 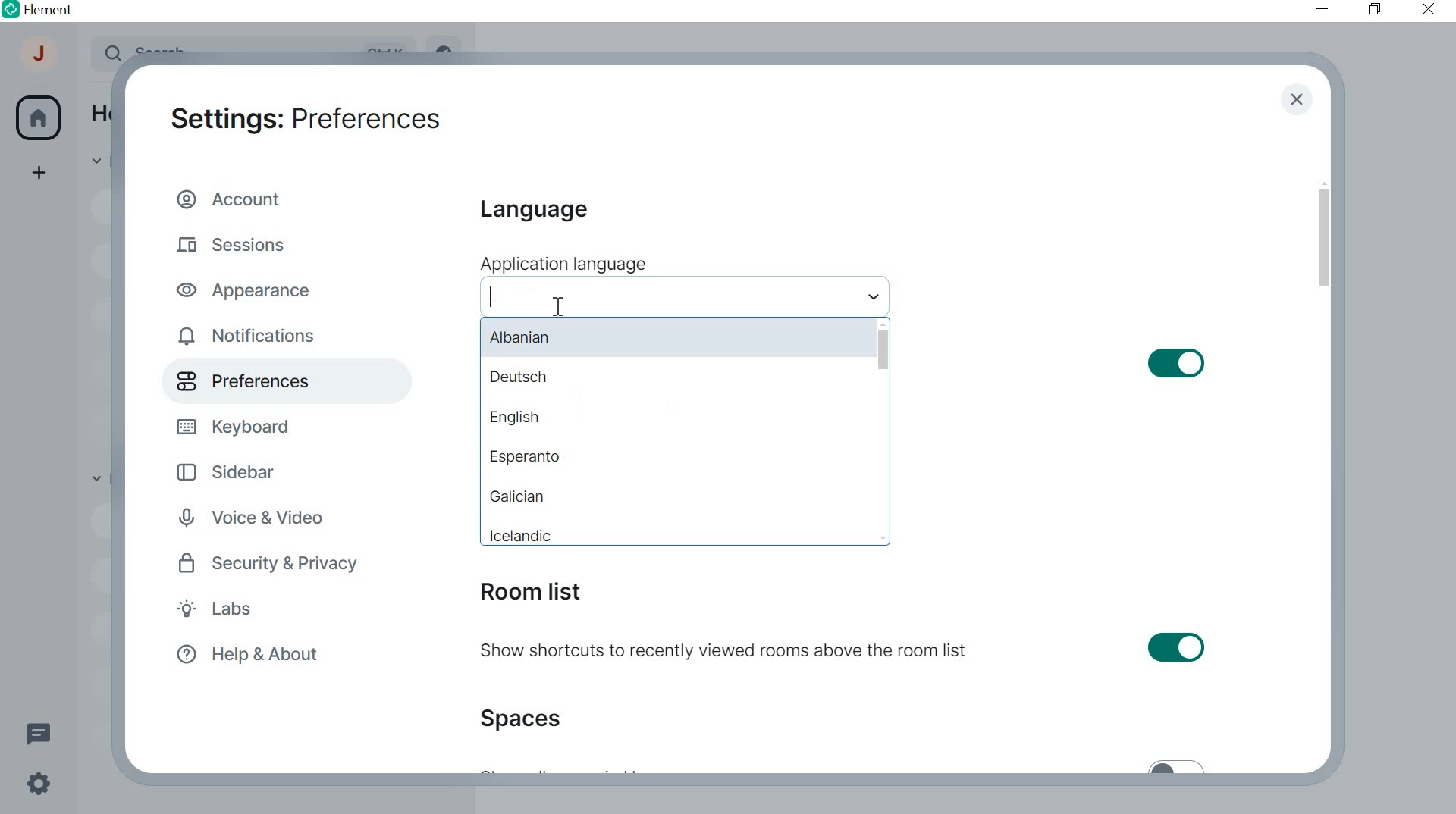 What do you see at coordinates (265, 519) in the screenshot?
I see `VIDEO & VIDEO` at bounding box center [265, 519].